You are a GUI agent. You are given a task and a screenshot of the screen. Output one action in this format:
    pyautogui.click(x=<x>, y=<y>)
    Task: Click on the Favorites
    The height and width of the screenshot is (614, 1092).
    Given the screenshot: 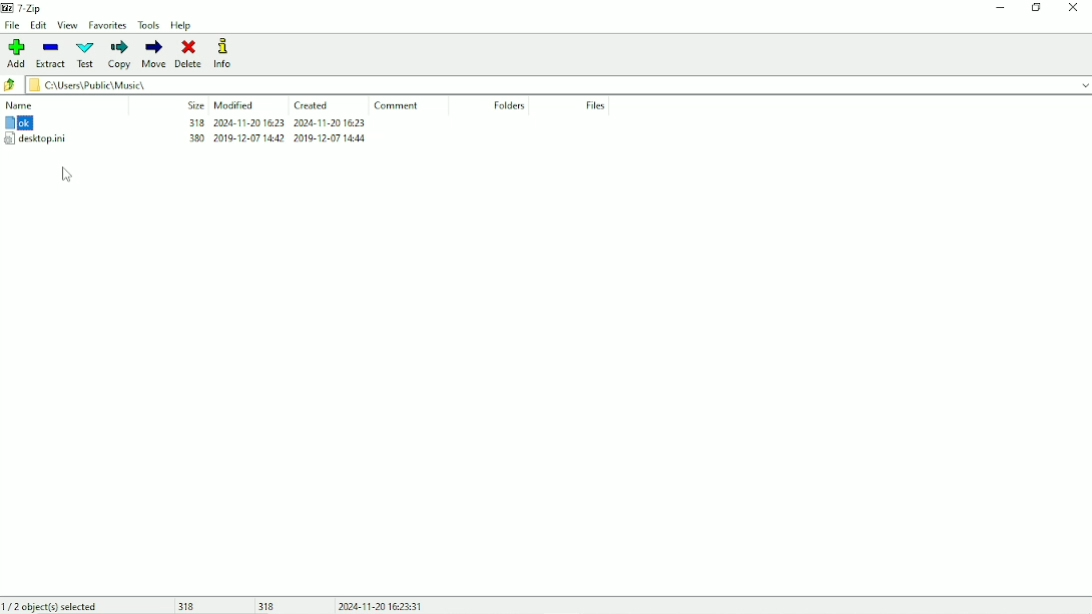 What is the action you would take?
    pyautogui.click(x=109, y=25)
    